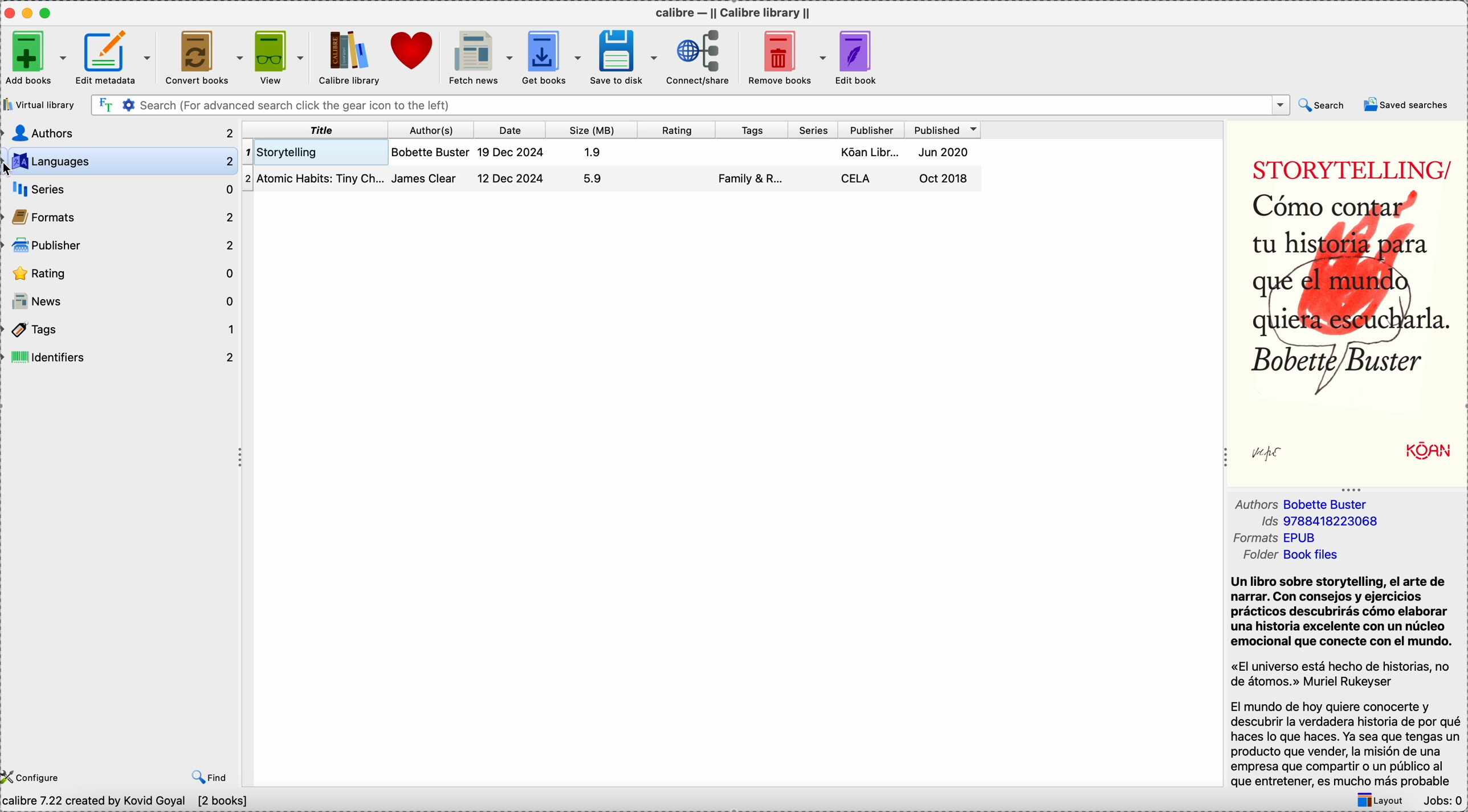  I want to click on title, so click(316, 130).